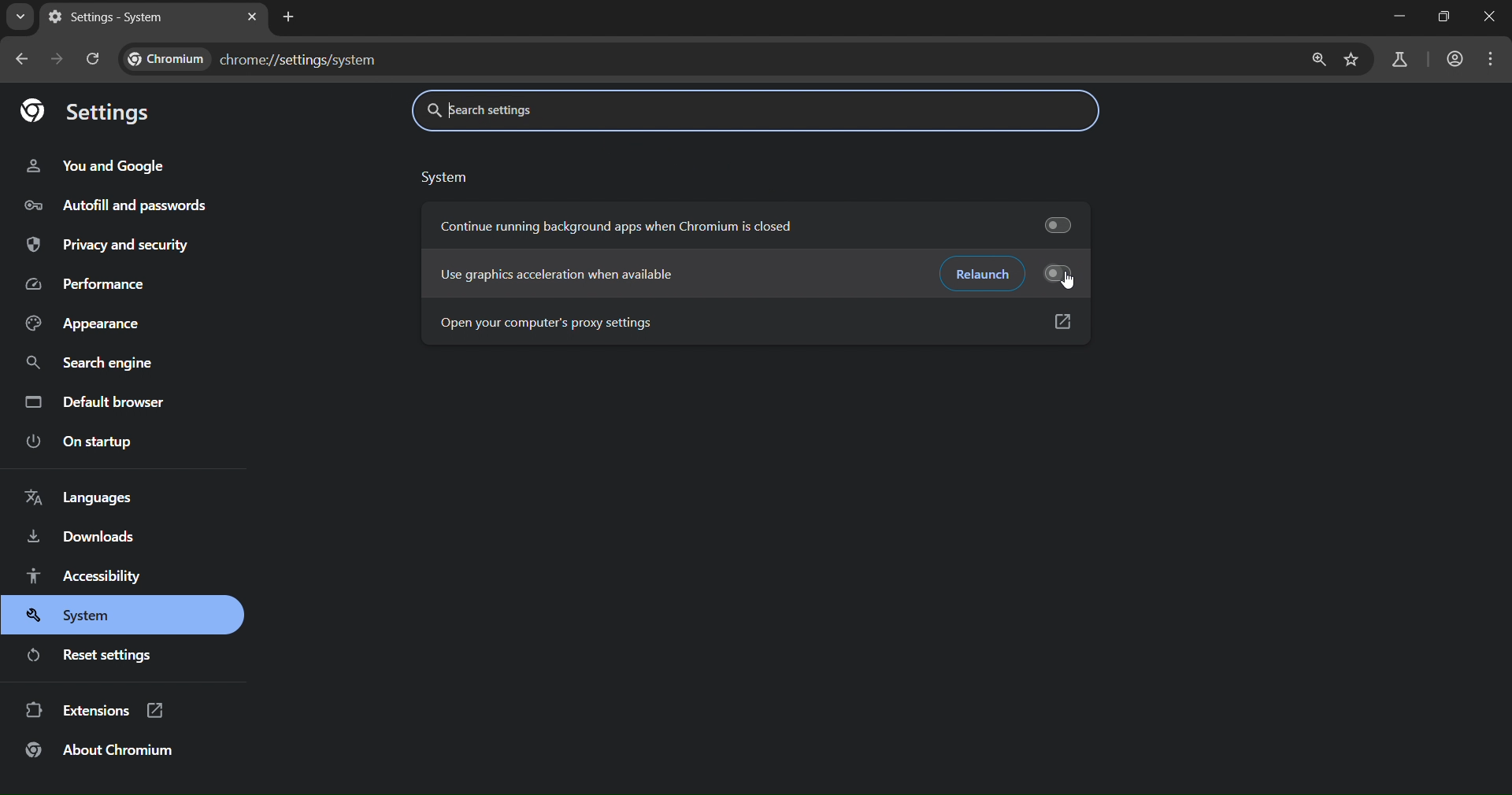 The height and width of the screenshot is (795, 1512). I want to click on Minimize, so click(1398, 16).